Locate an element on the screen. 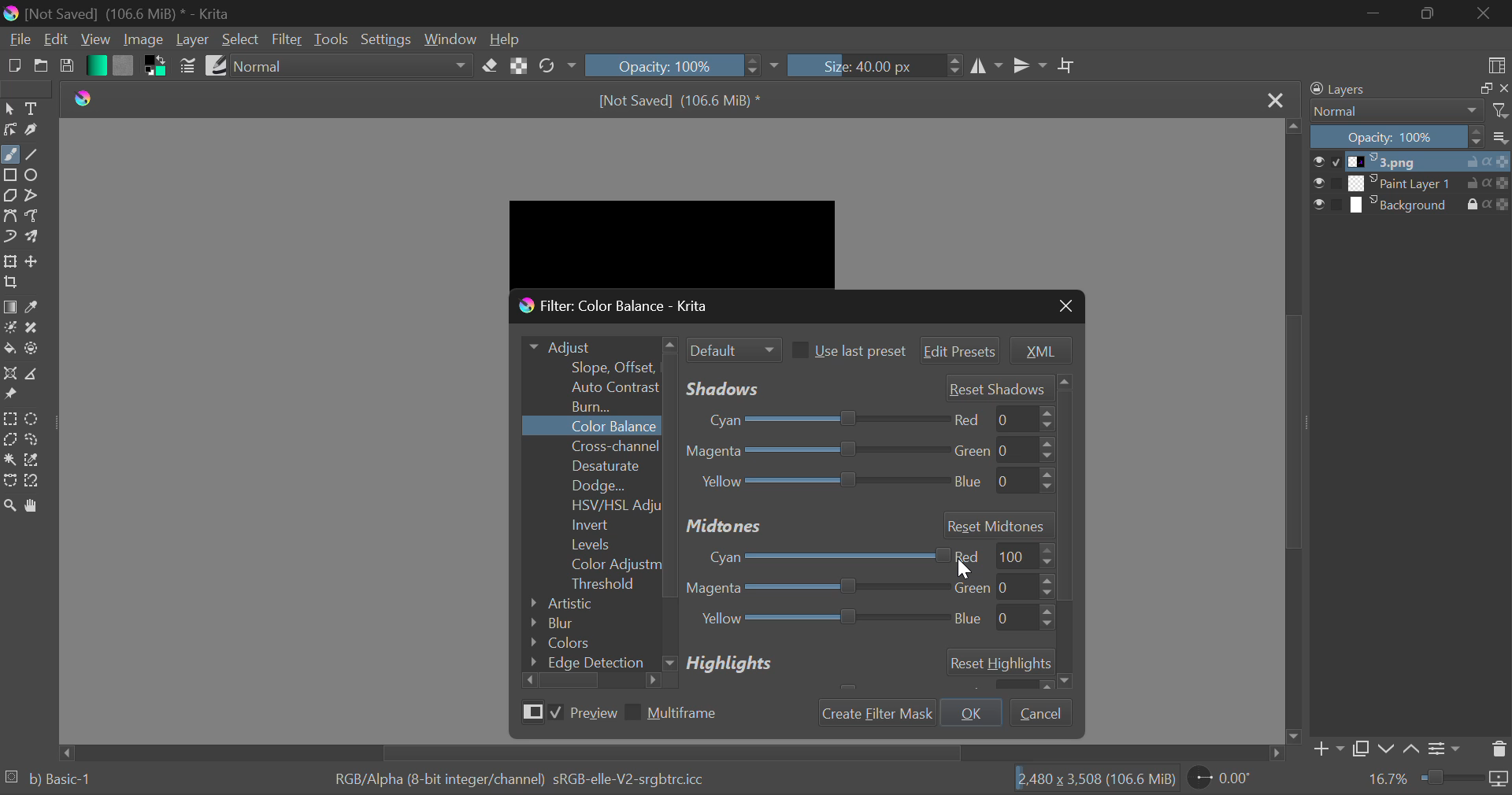  Continuous Selection is located at coordinates (9, 462).